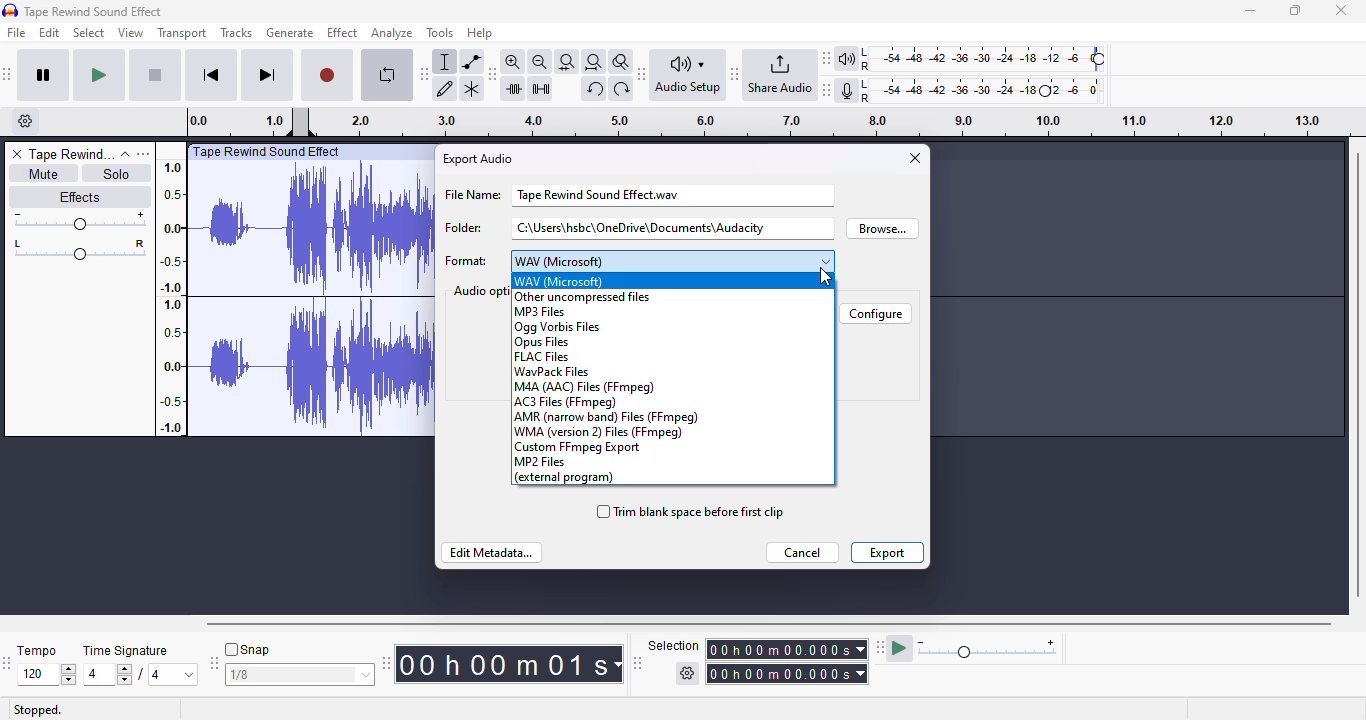  What do you see at coordinates (100, 77) in the screenshot?
I see `play` at bounding box center [100, 77].